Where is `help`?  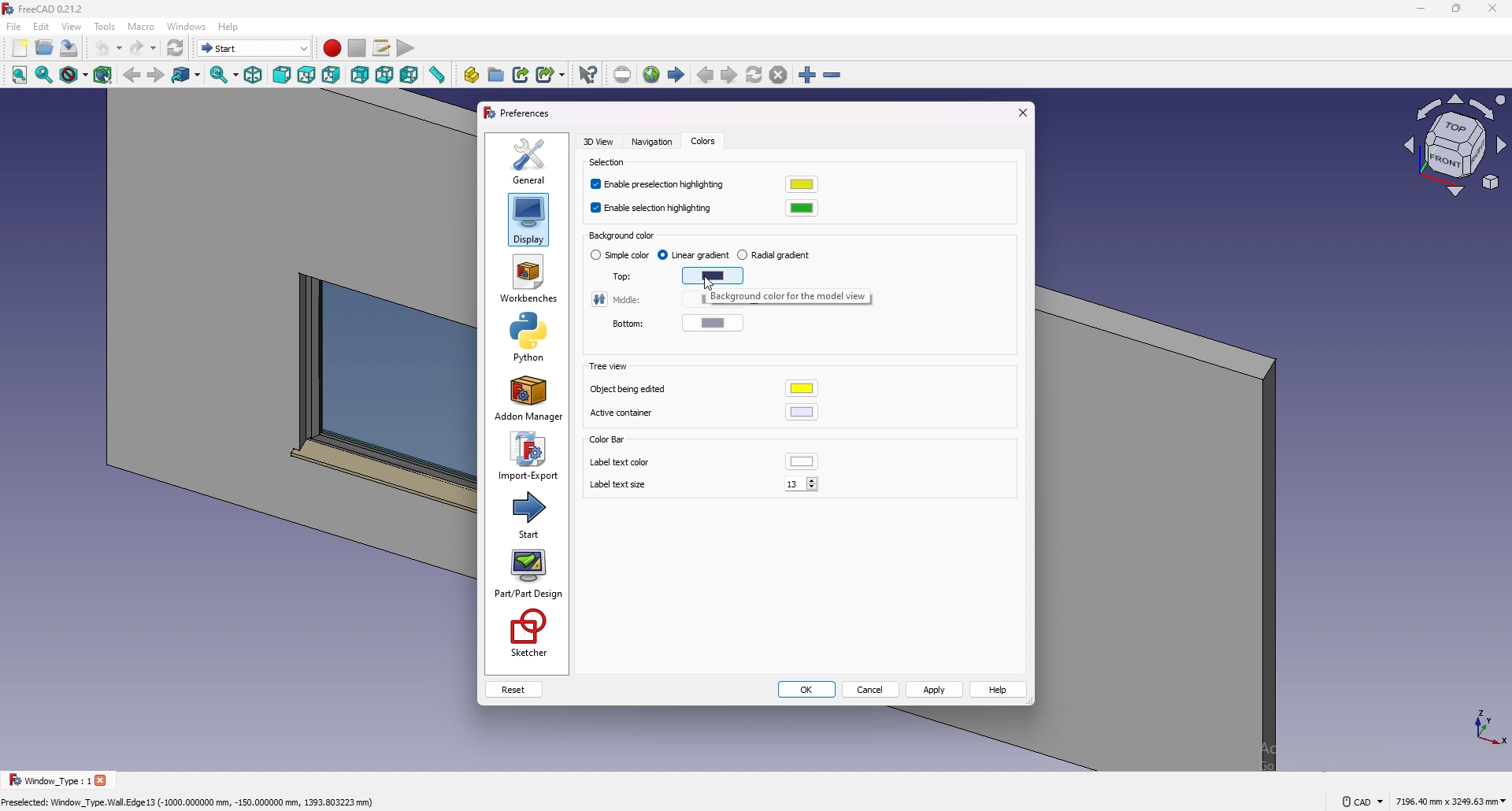
help is located at coordinates (228, 27).